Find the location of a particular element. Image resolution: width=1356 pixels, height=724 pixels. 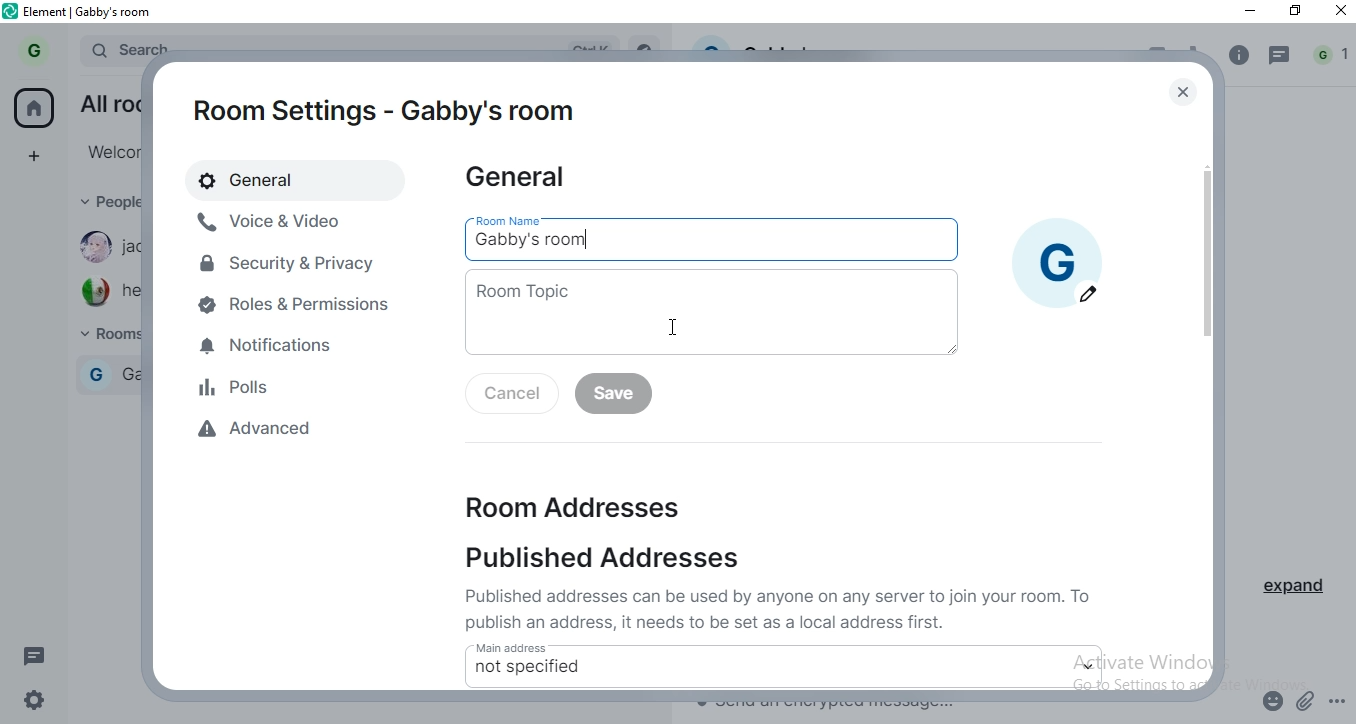

gabby's room is located at coordinates (591, 240).